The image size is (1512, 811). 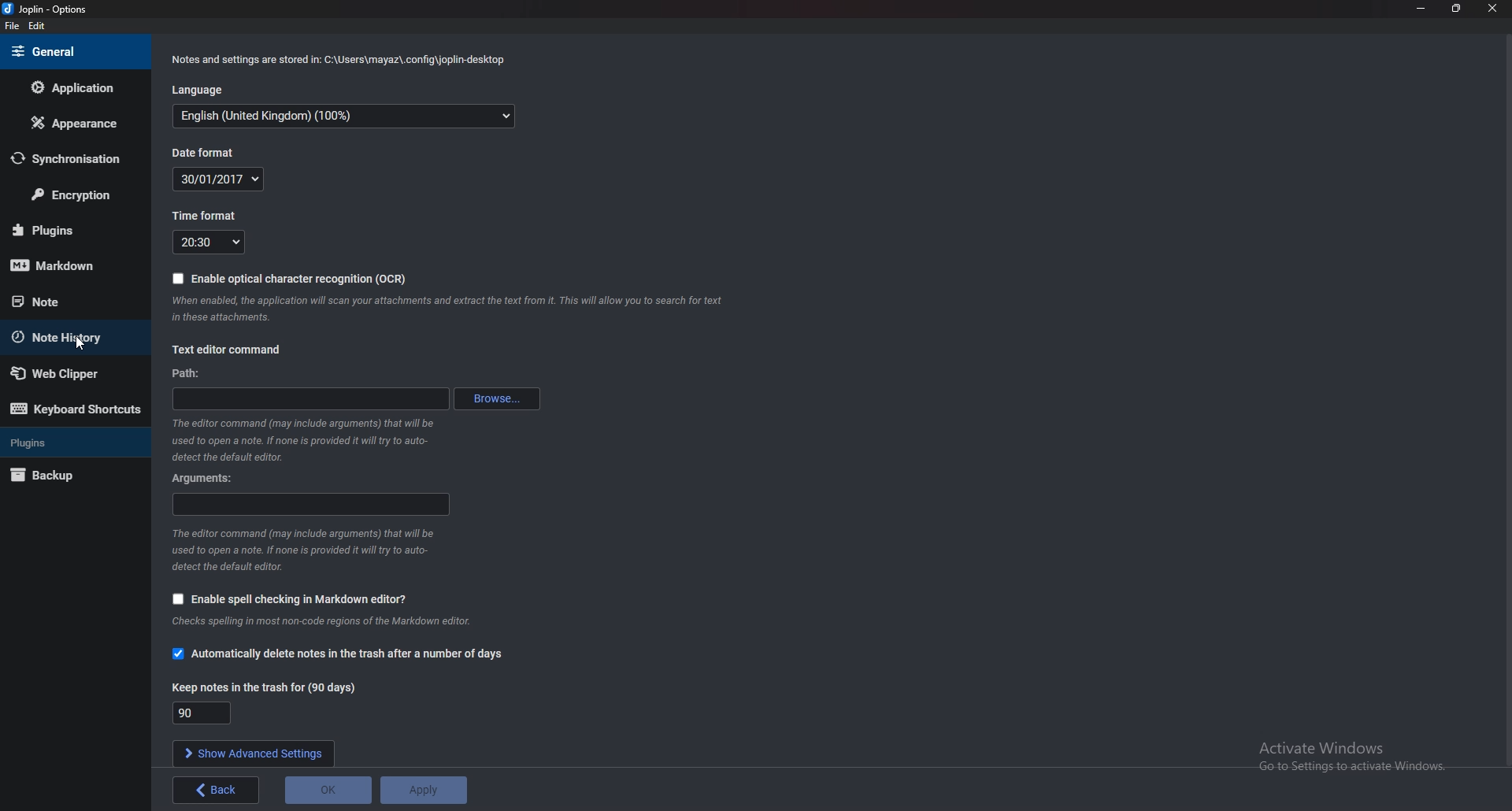 I want to click on General, so click(x=72, y=53).